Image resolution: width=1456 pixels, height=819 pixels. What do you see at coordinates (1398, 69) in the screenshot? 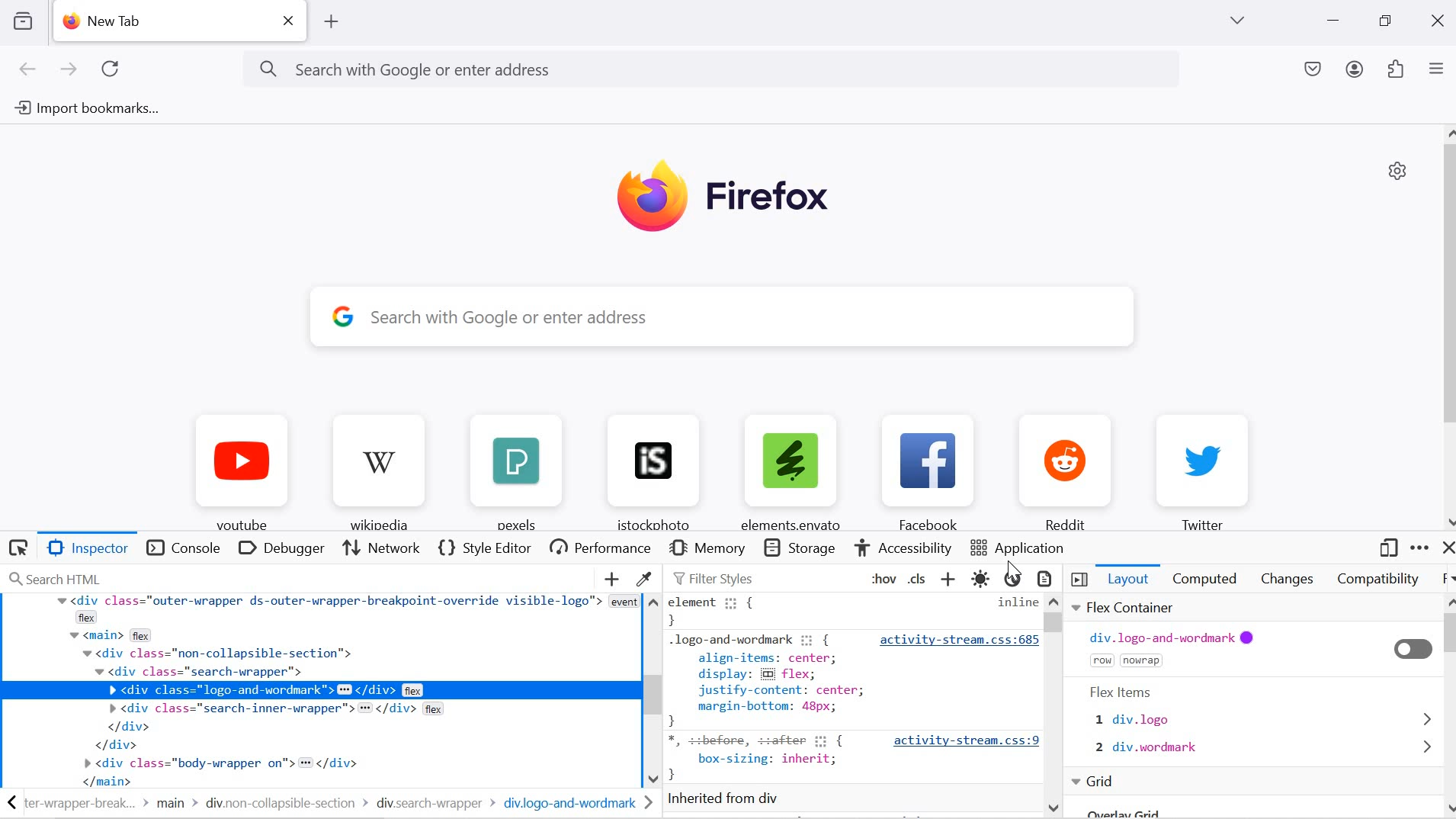
I see `extensions` at bounding box center [1398, 69].